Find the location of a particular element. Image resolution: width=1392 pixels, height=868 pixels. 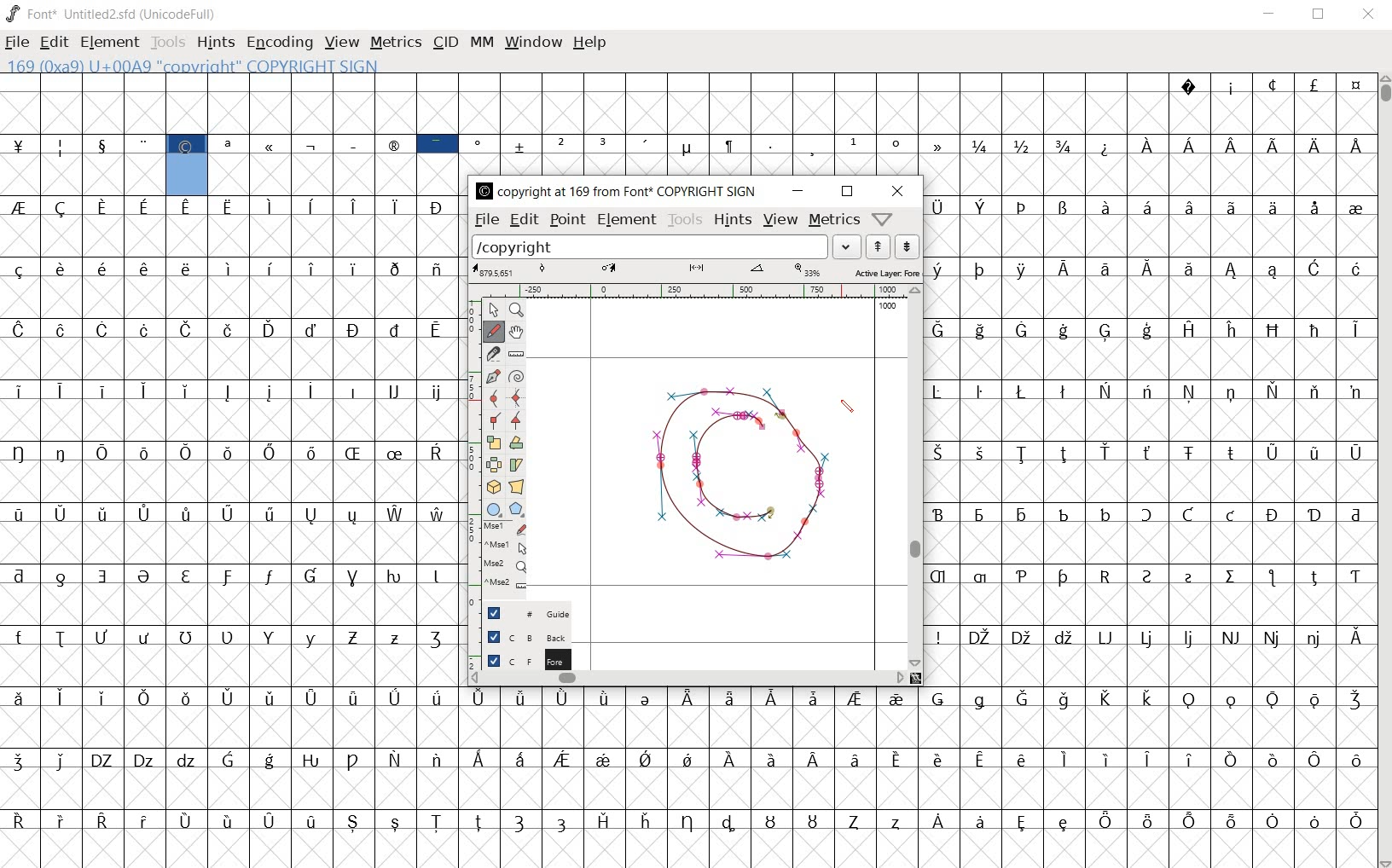

add a curve point is located at coordinates (495, 397).